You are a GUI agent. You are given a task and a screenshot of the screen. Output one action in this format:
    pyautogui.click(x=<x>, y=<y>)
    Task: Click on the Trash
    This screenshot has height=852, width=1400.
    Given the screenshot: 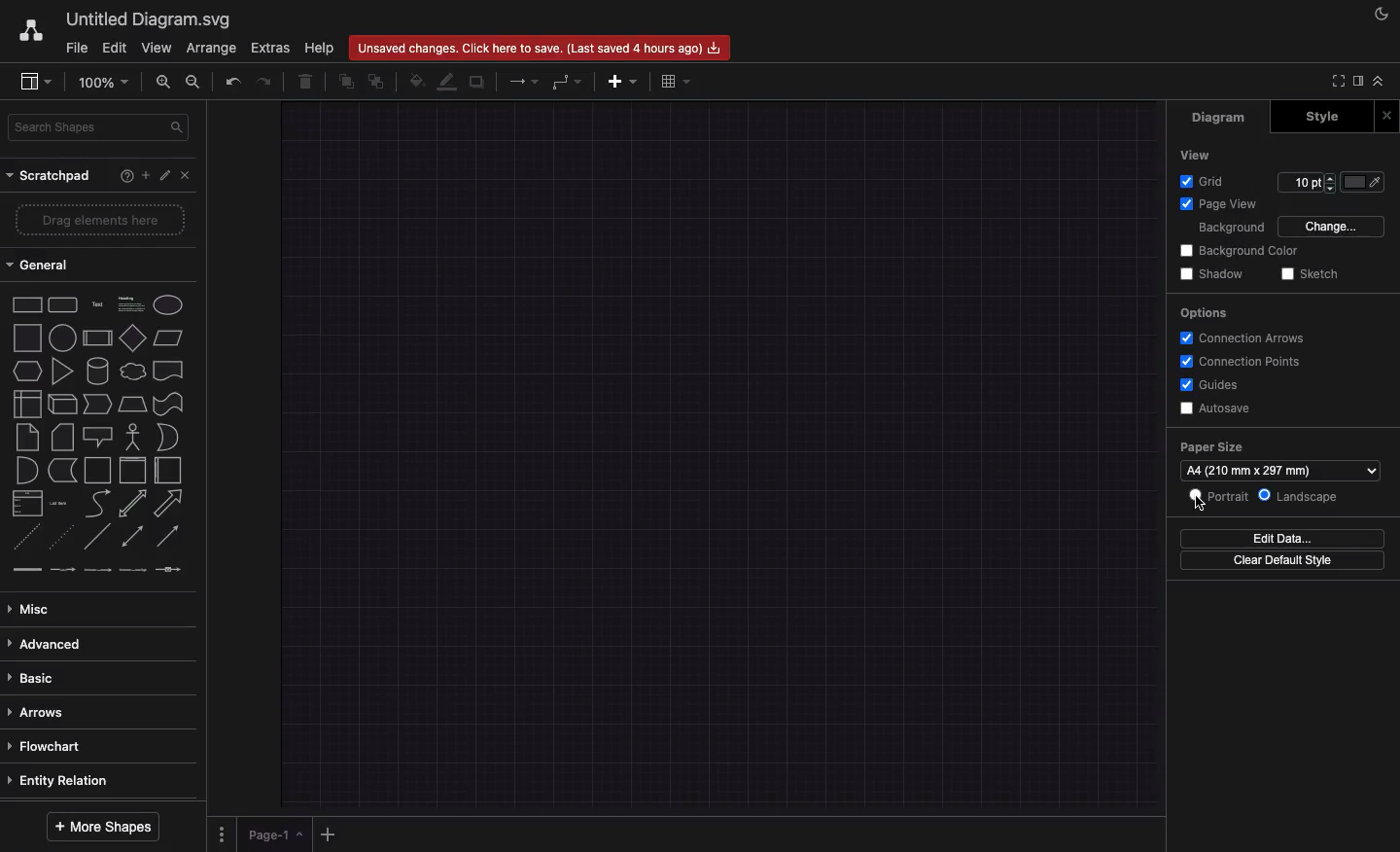 What is the action you would take?
    pyautogui.click(x=303, y=82)
    